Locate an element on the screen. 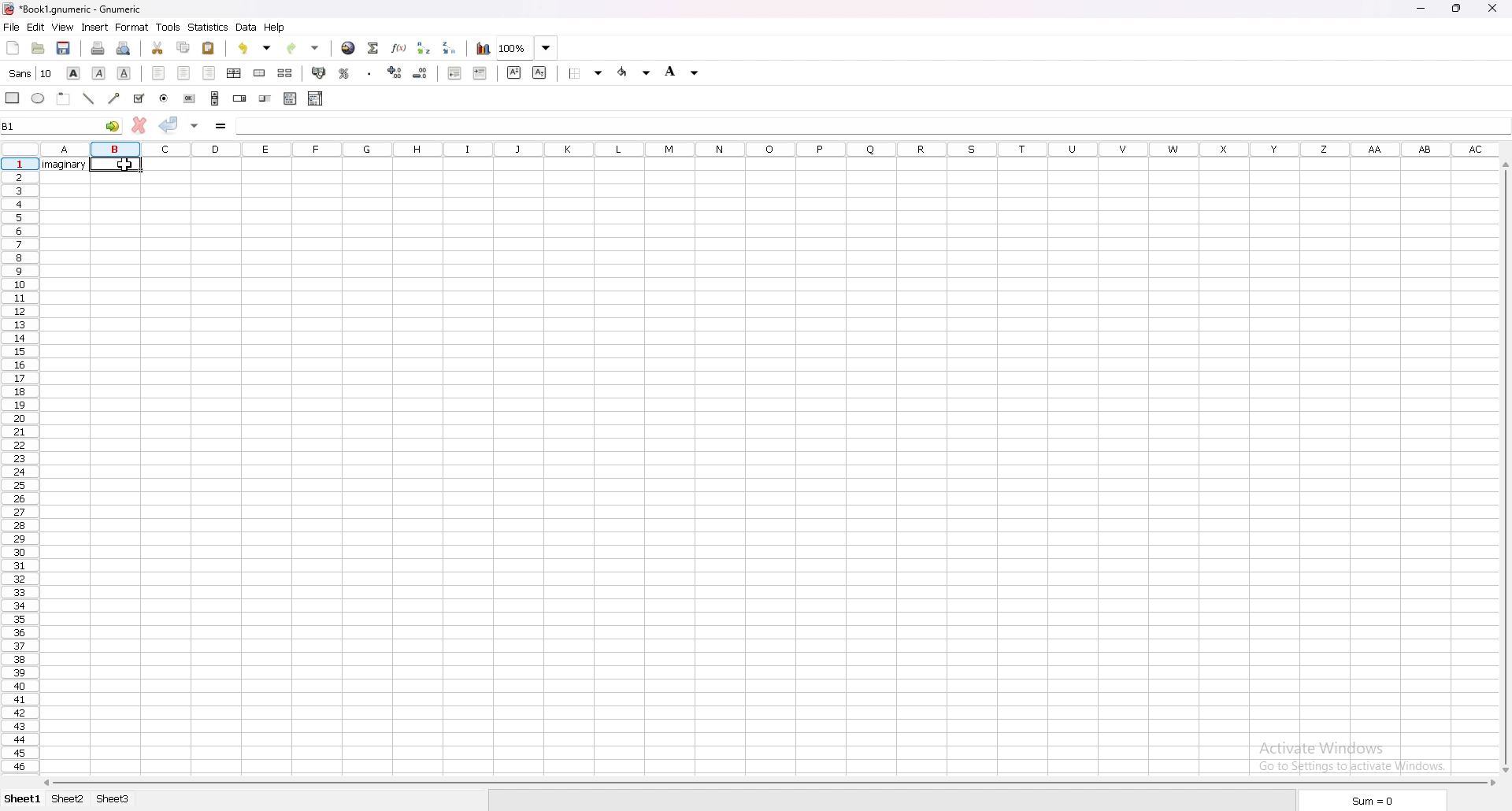  radio button is located at coordinates (165, 98).